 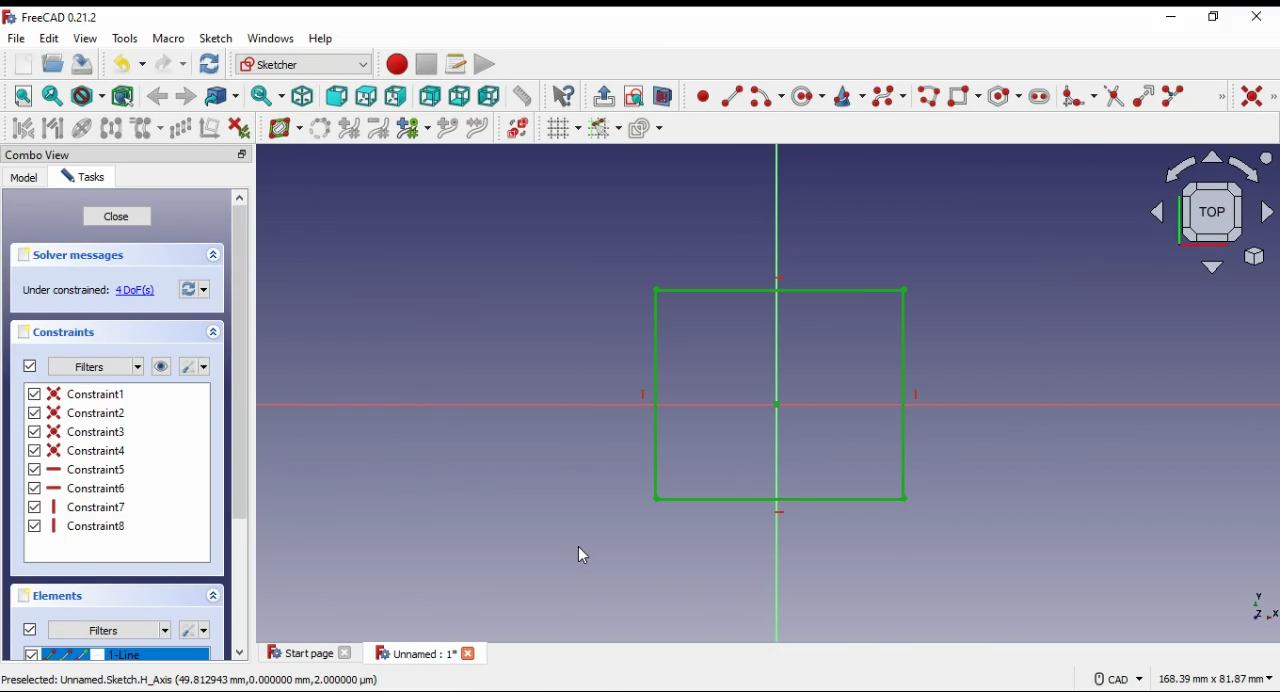 What do you see at coordinates (336, 96) in the screenshot?
I see `front` at bounding box center [336, 96].